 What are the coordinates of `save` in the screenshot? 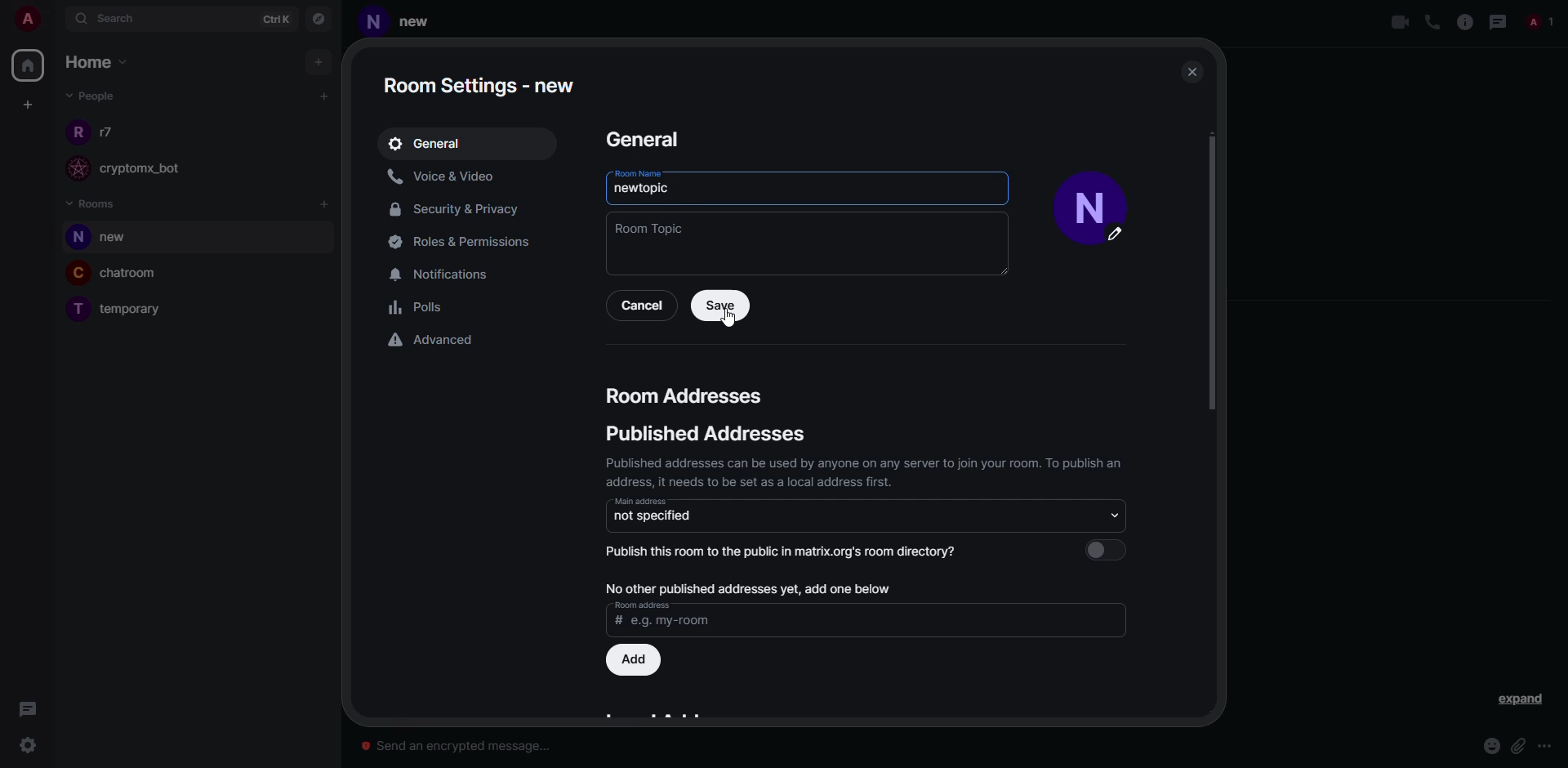 It's located at (720, 306).